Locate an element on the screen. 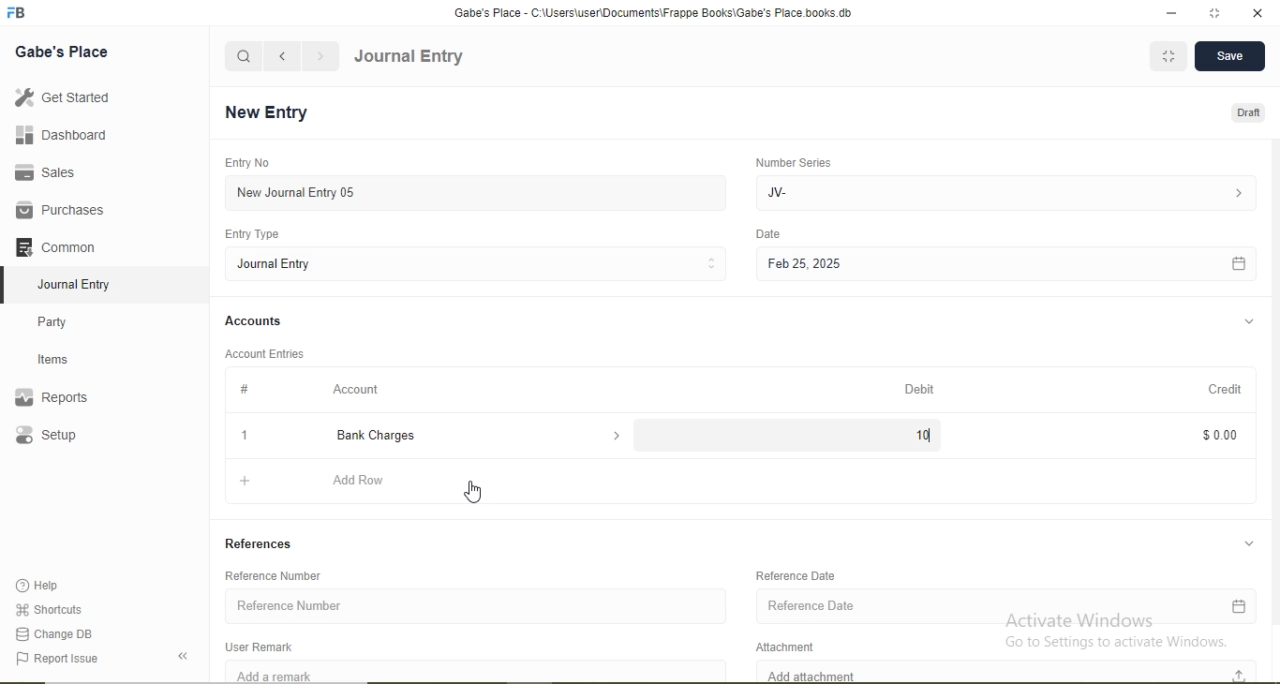 This screenshot has width=1280, height=684. Reference Date is located at coordinates (798, 575).